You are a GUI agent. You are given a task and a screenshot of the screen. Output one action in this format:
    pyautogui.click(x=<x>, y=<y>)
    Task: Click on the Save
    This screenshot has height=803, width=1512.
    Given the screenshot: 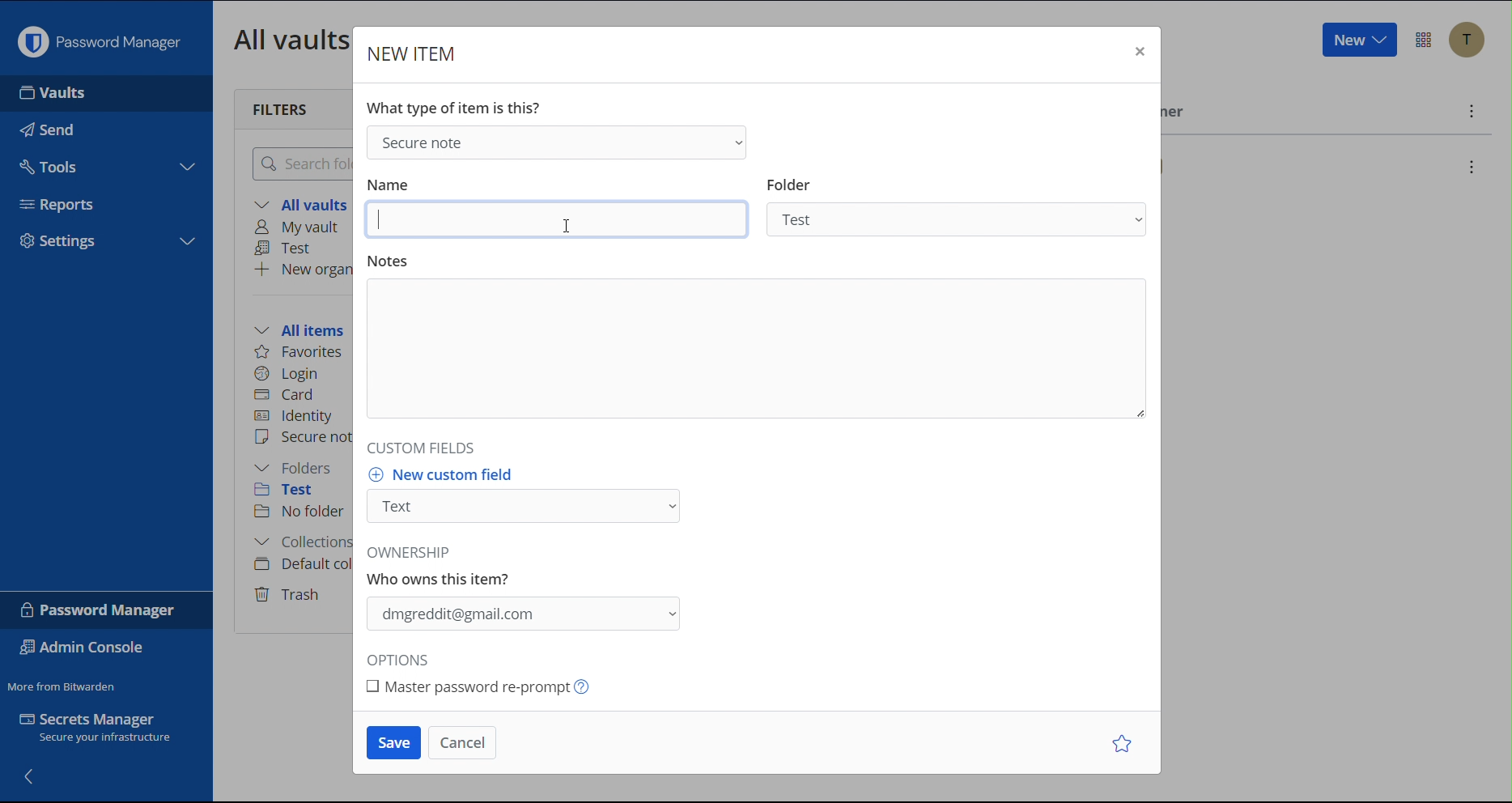 What is the action you would take?
    pyautogui.click(x=393, y=743)
    